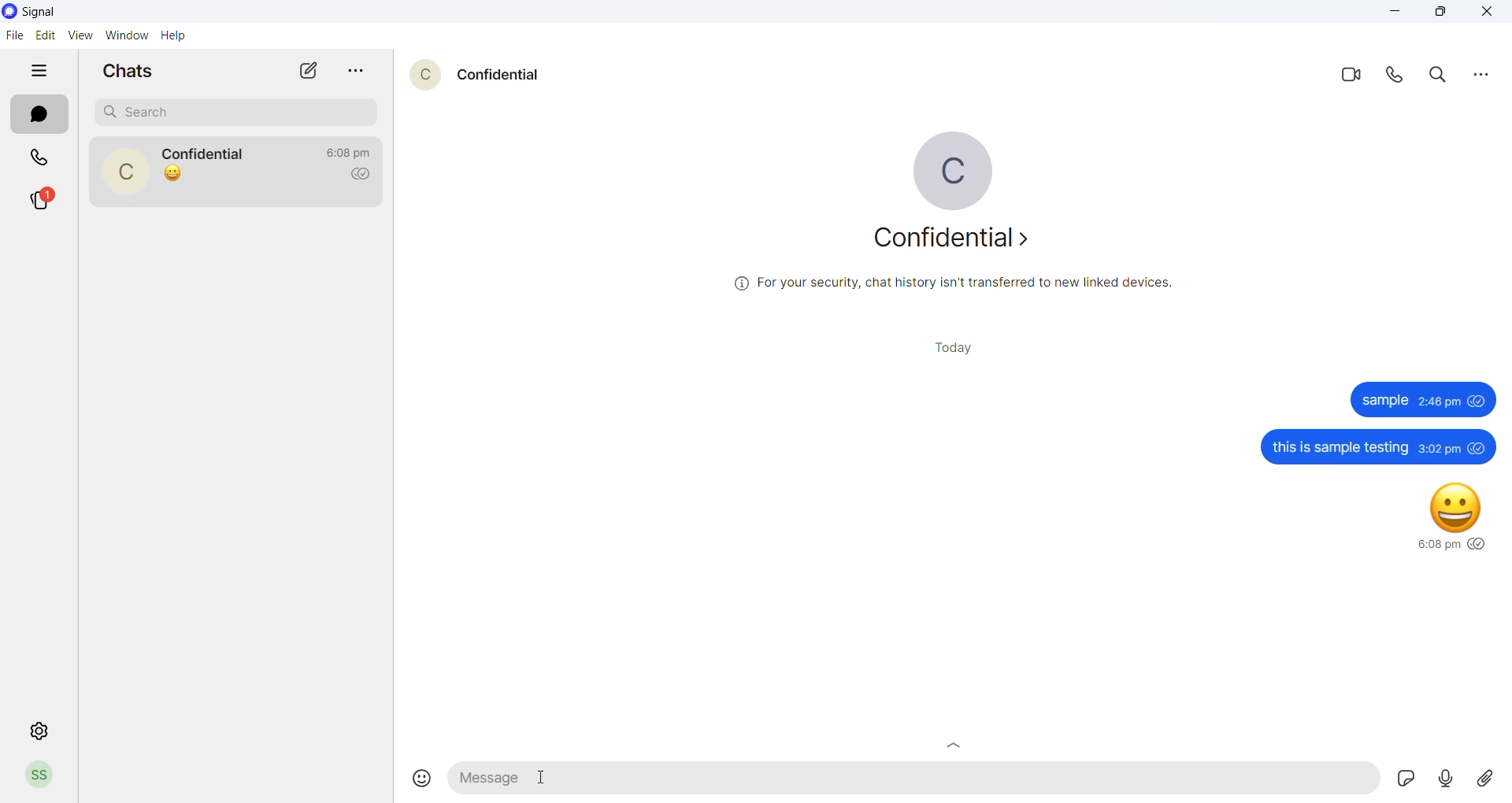 This screenshot has width=1512, height=803. I want to click on calls, so click(41, 160).